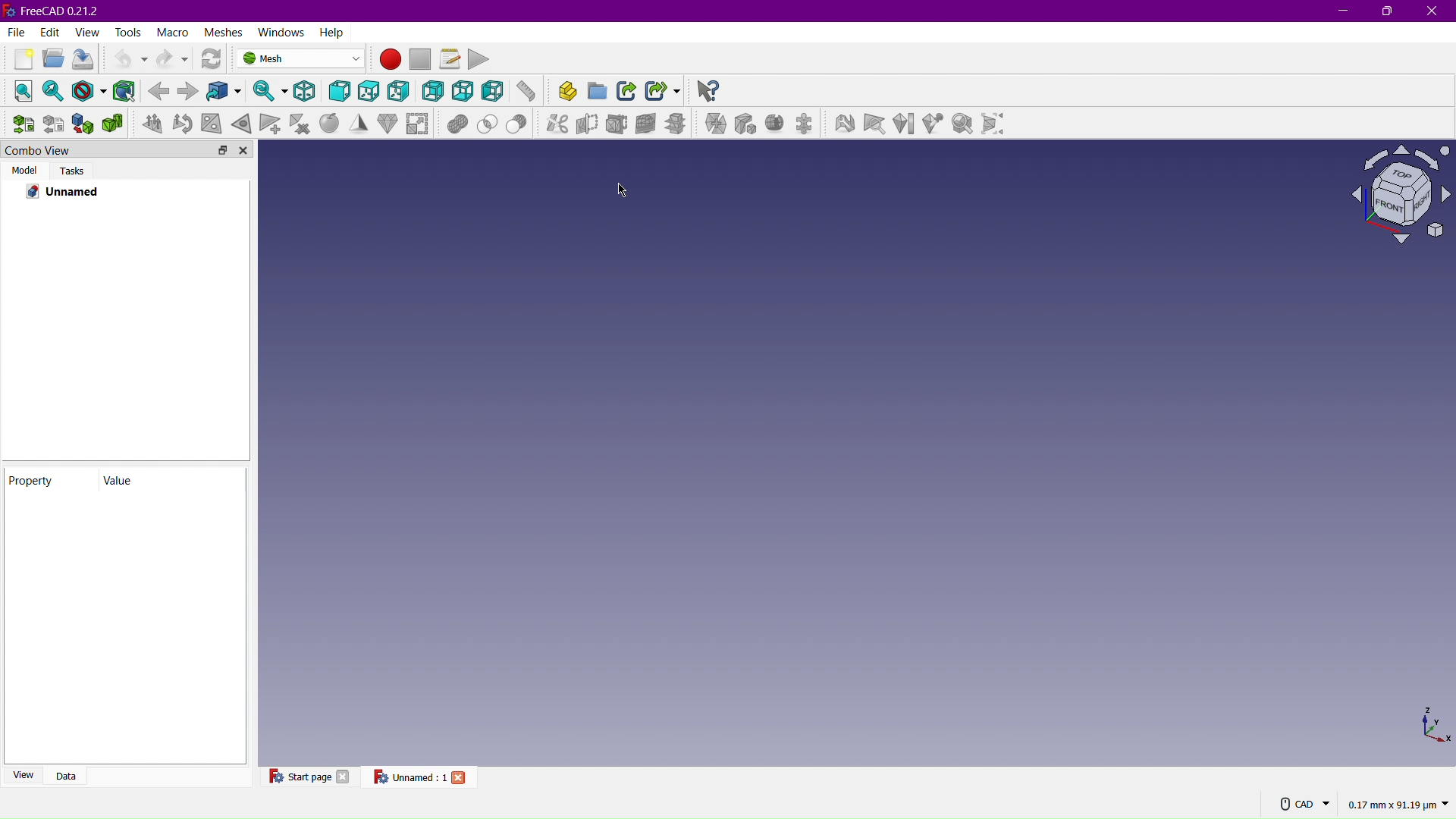  What do you see at coordinates (152, 123) in the screenshot?
I see `Harmonize normals` at bounding box center [152, 123].